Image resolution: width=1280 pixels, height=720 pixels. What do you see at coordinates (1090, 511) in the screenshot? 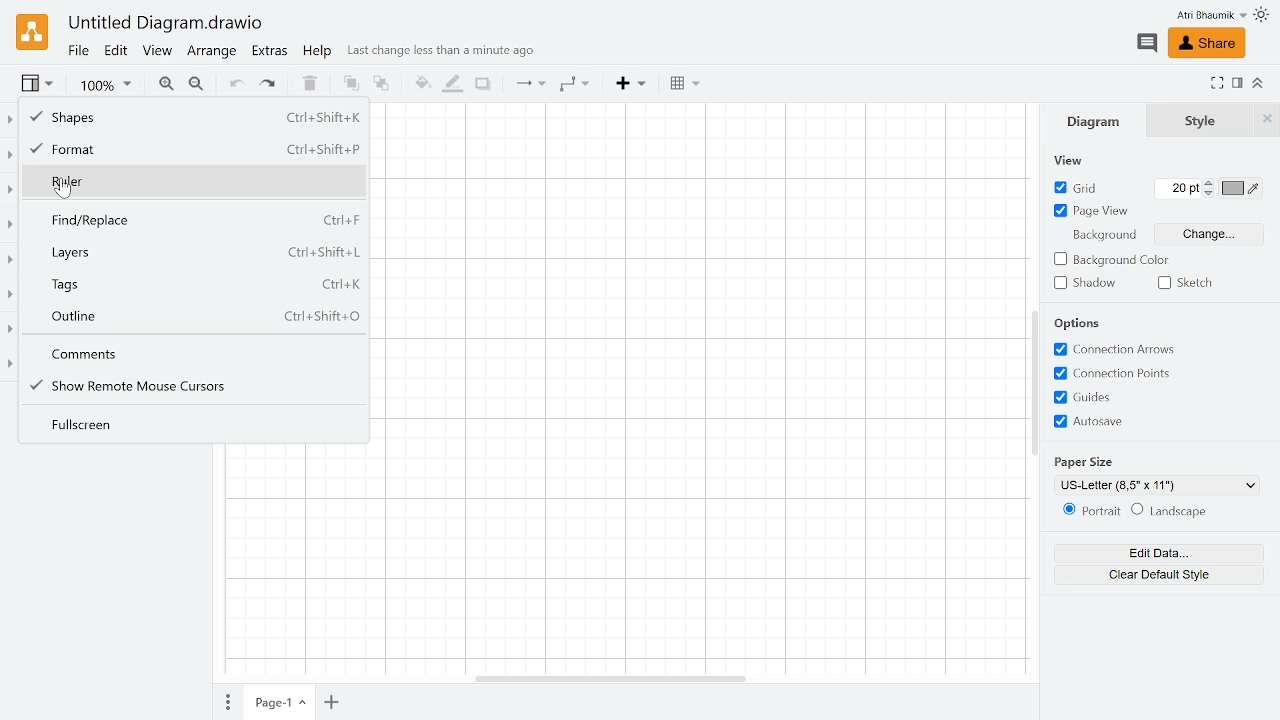
I see `Potrait` at bounding box center [1090, 511].